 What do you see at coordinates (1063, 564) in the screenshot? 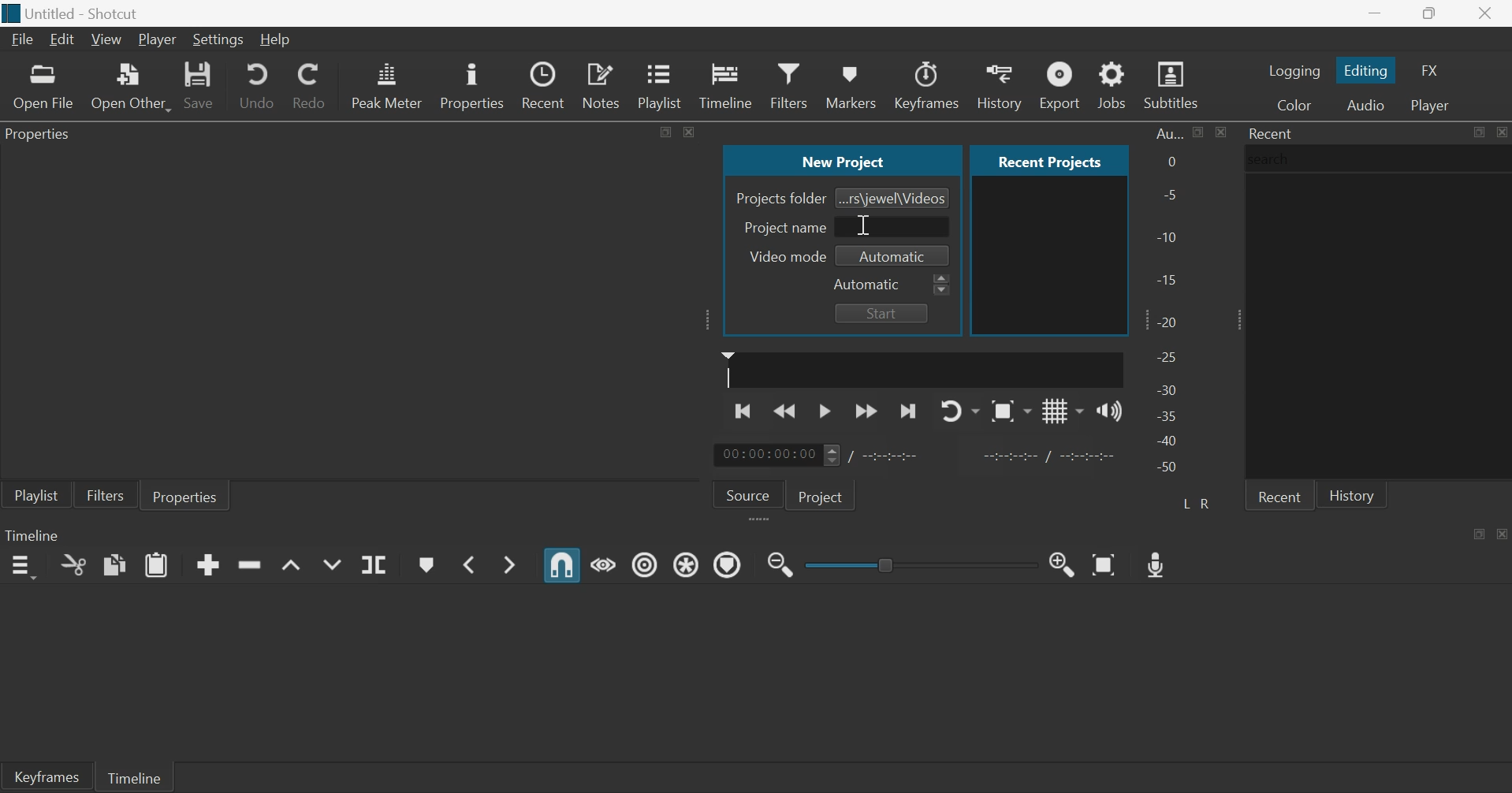
I see `Zoom timeline out` at bounding box center [1063, 564].